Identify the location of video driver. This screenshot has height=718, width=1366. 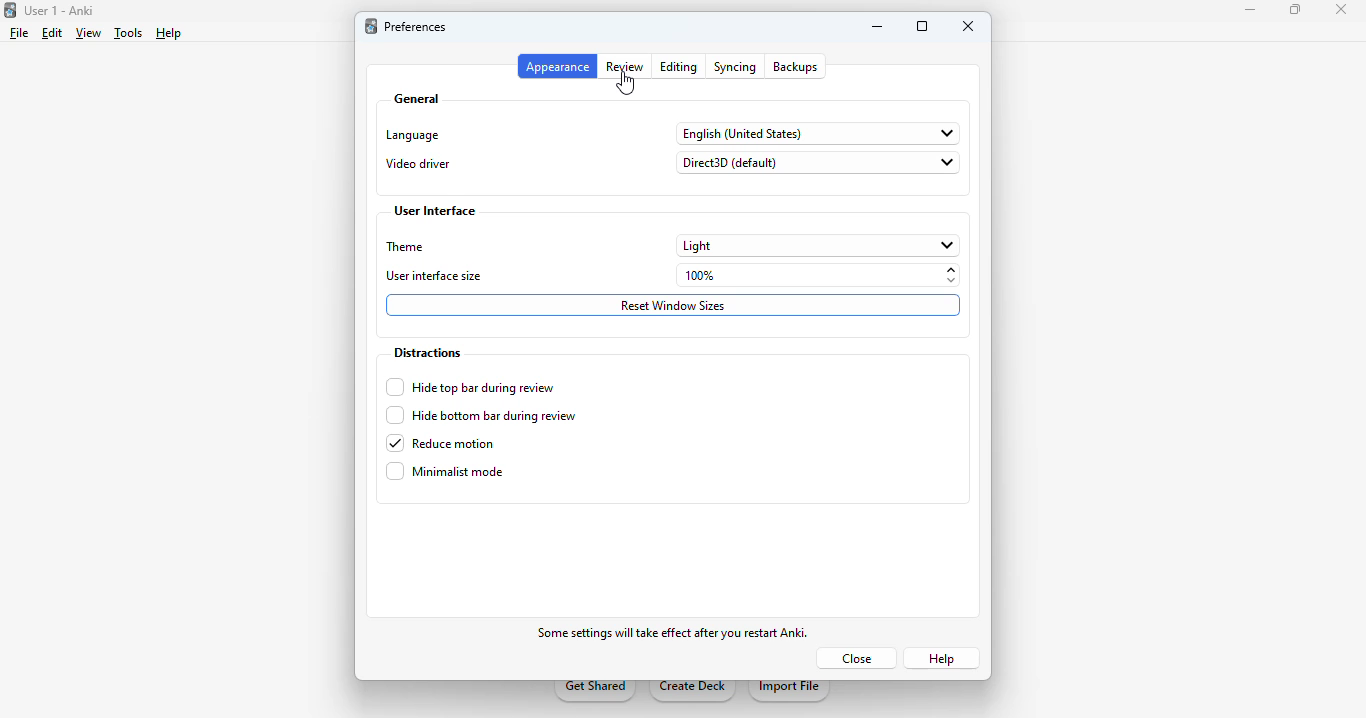
(418, 164).